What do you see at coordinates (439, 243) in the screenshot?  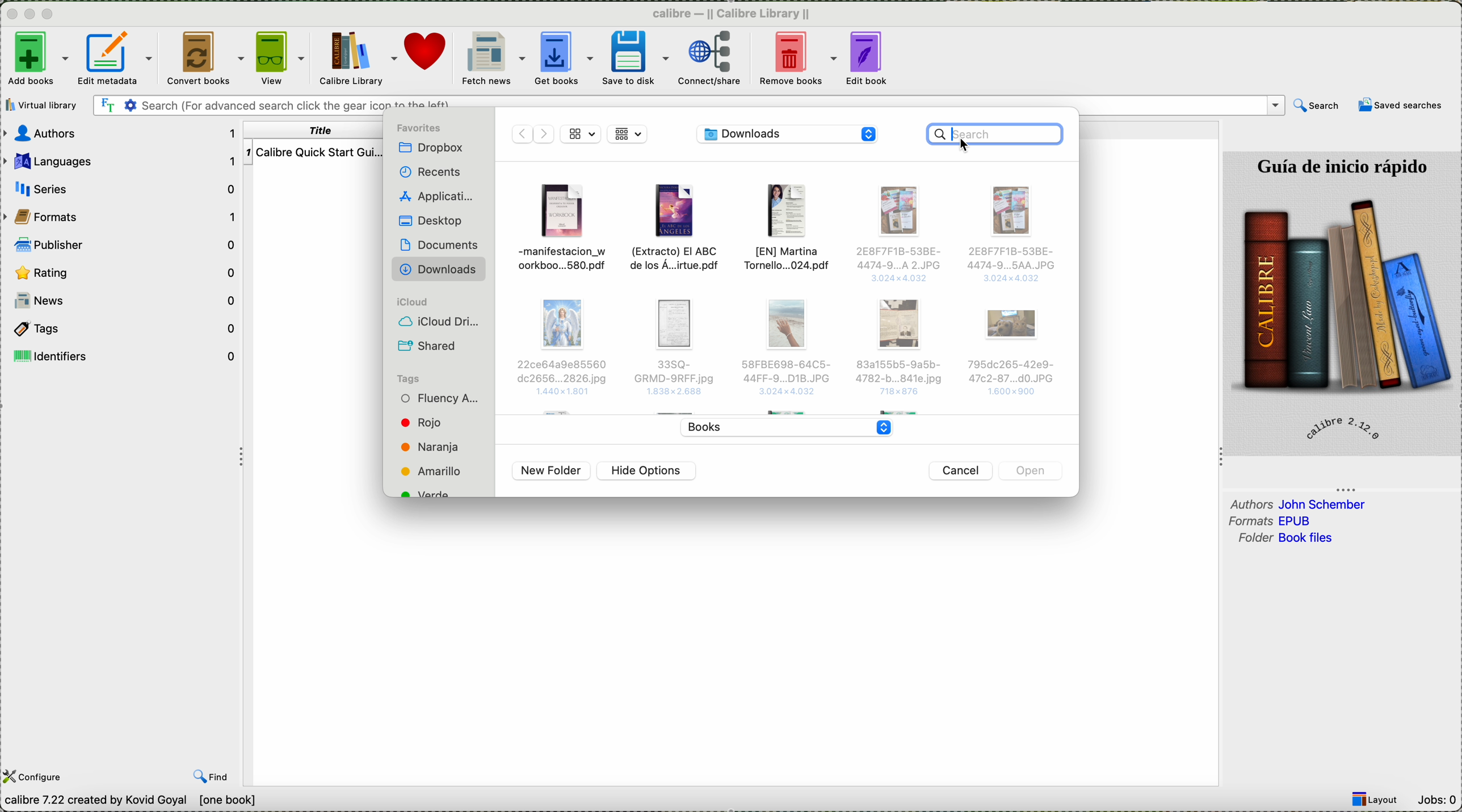 I see `documents` at bounding box center [439, 243].